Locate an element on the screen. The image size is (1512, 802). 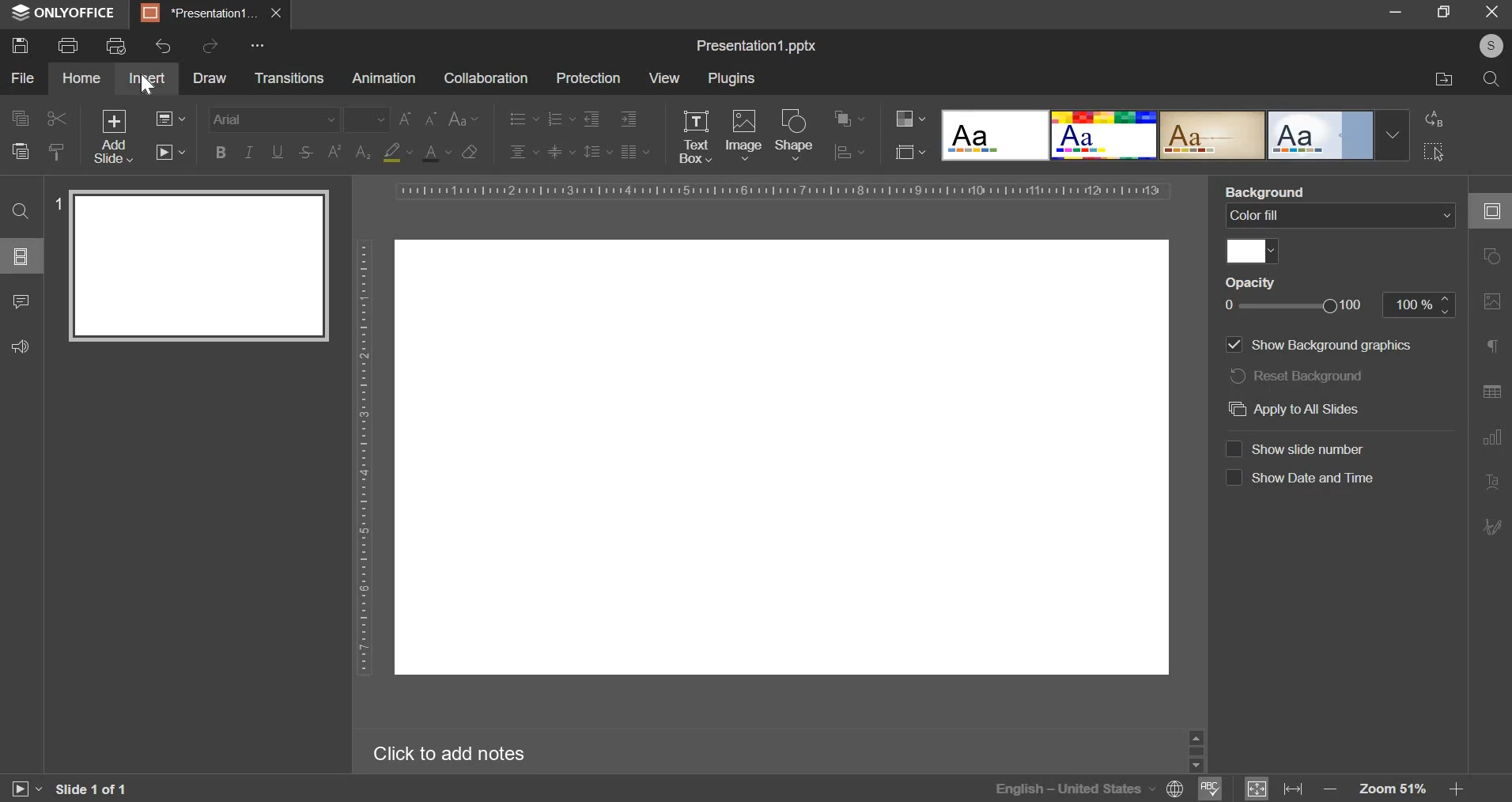
color fill is located at coordinates (1250, 251).